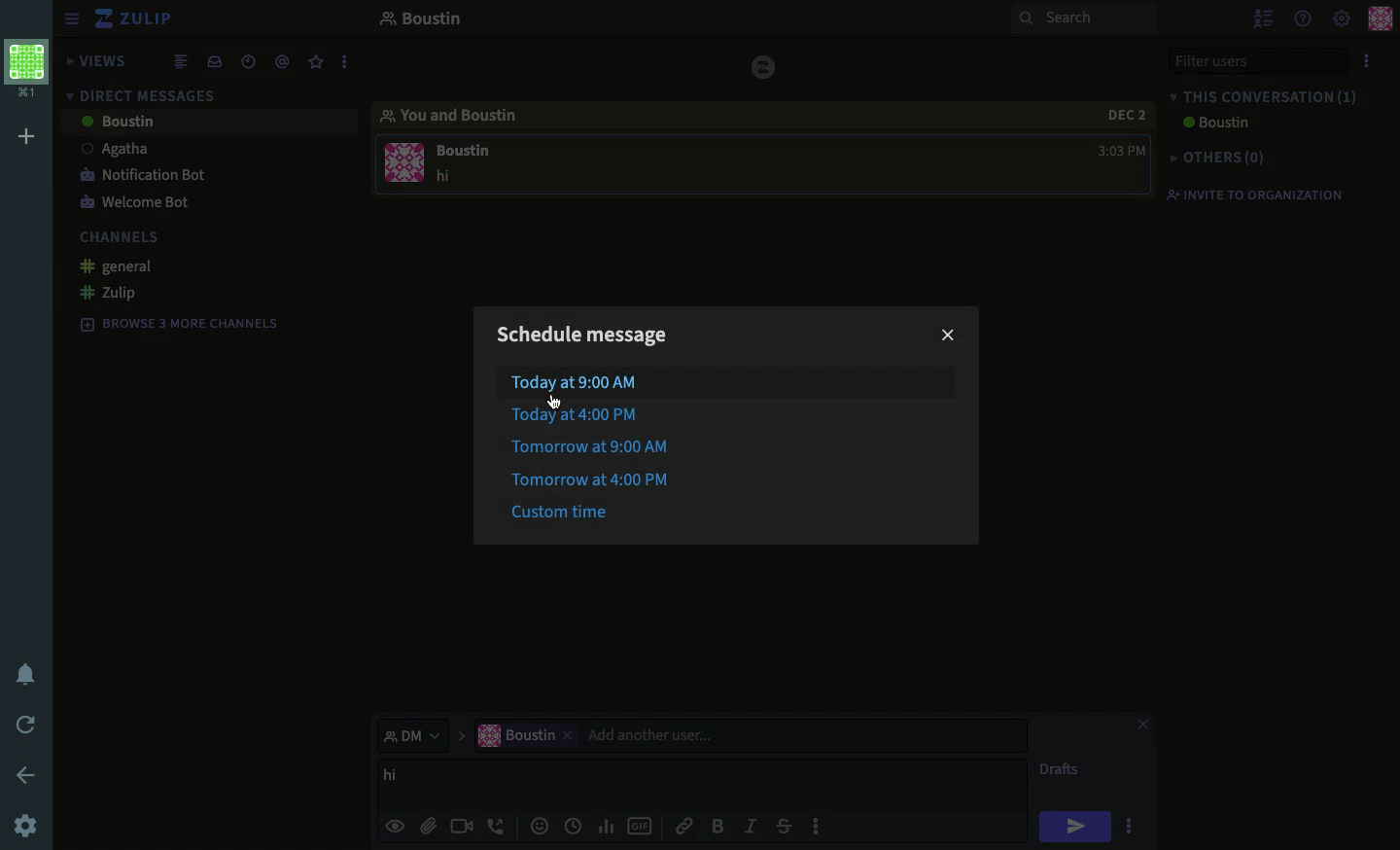 Image resolution: width=1400 pixels, height=850 pixels. Describe the element at coordinates (552, 407) in the screenshot. I see `cursor` at that location.